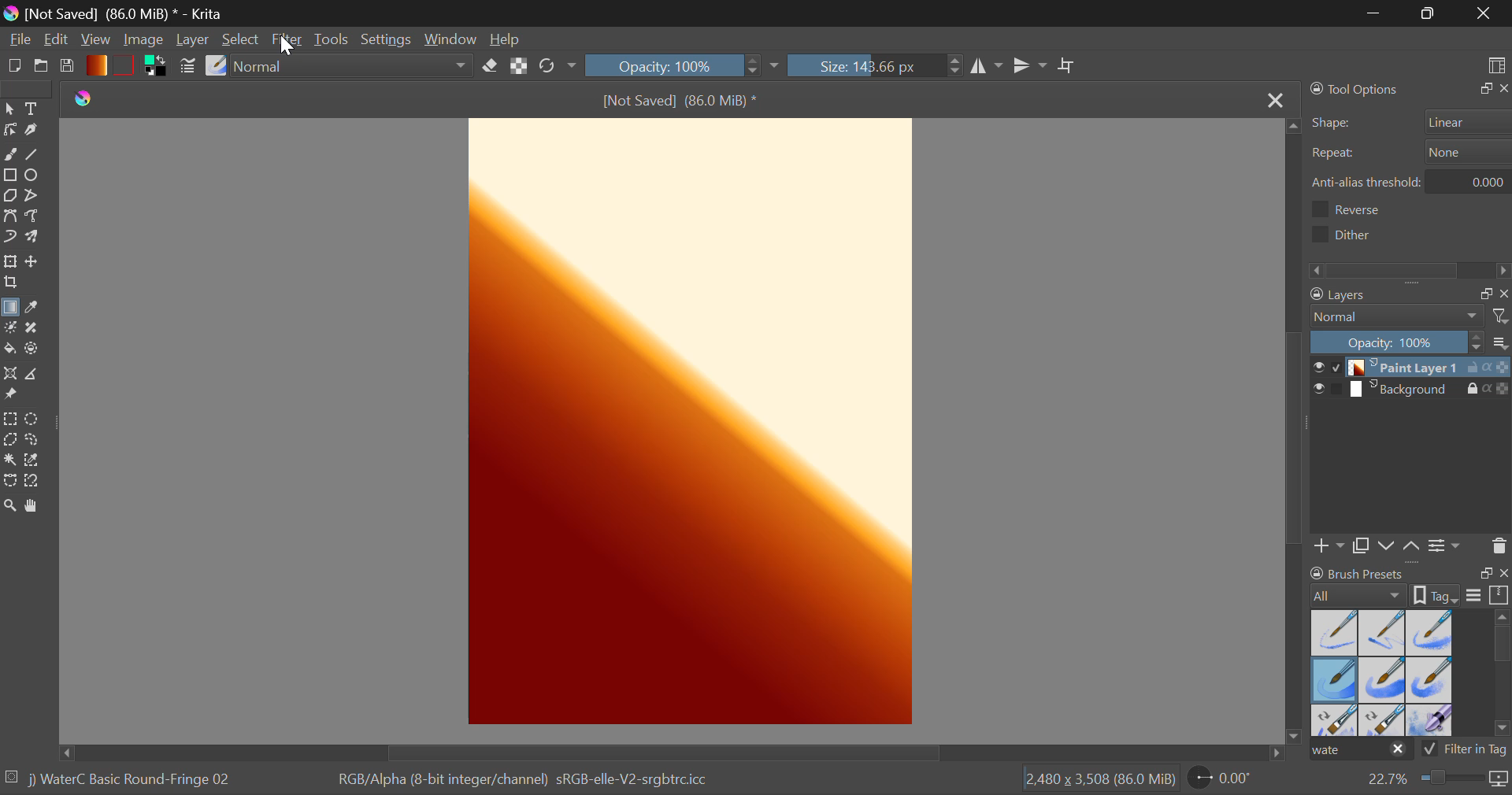 Image resolution: width=1512 pixels, height=795 pixels. Describe the element at coordinates (1474, 179) in the screenshot. I see `anti-alias threshold ` at that location.